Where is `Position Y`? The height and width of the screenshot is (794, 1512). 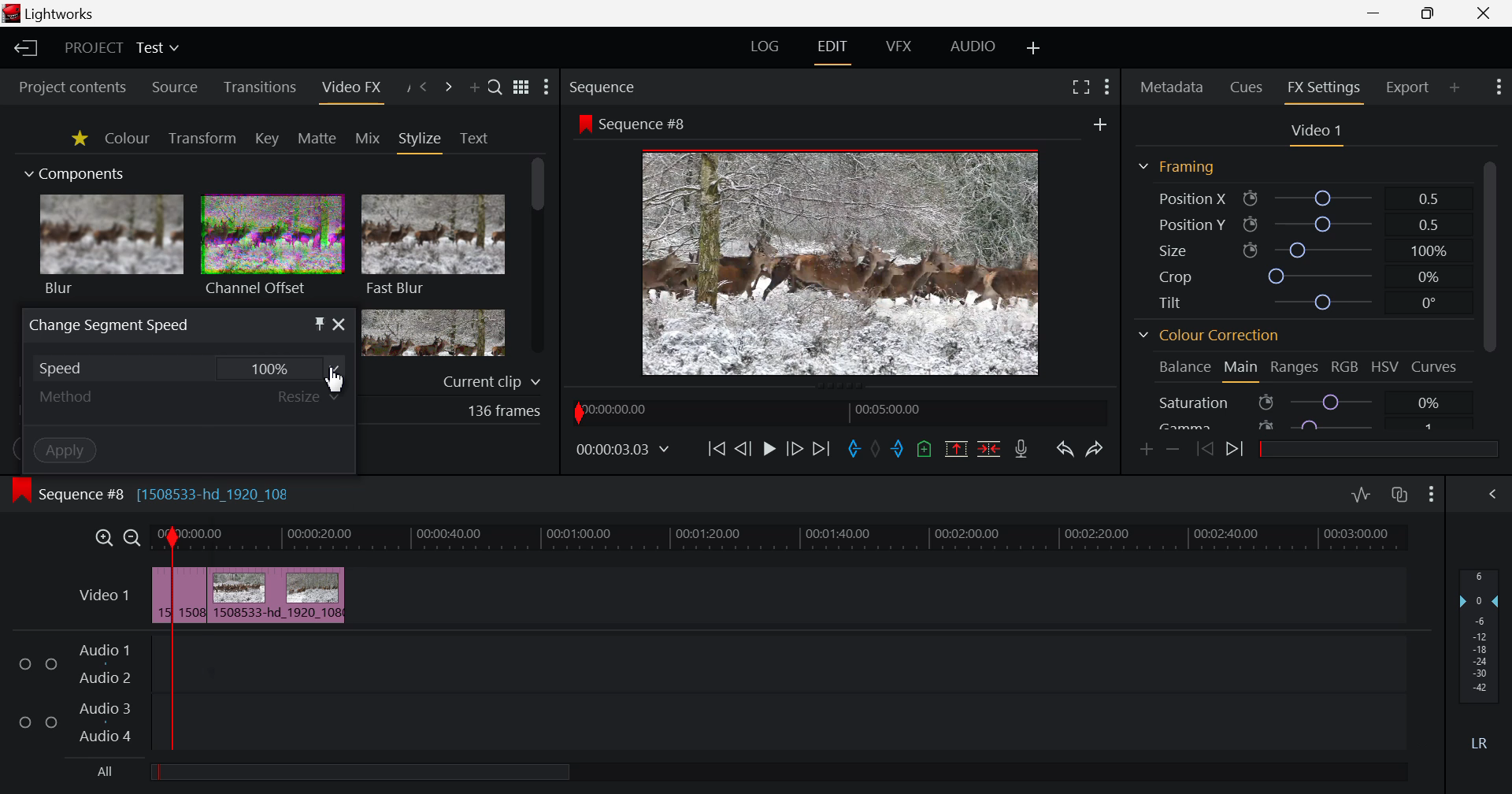 Position Y is located at coordinates (1299, 224).